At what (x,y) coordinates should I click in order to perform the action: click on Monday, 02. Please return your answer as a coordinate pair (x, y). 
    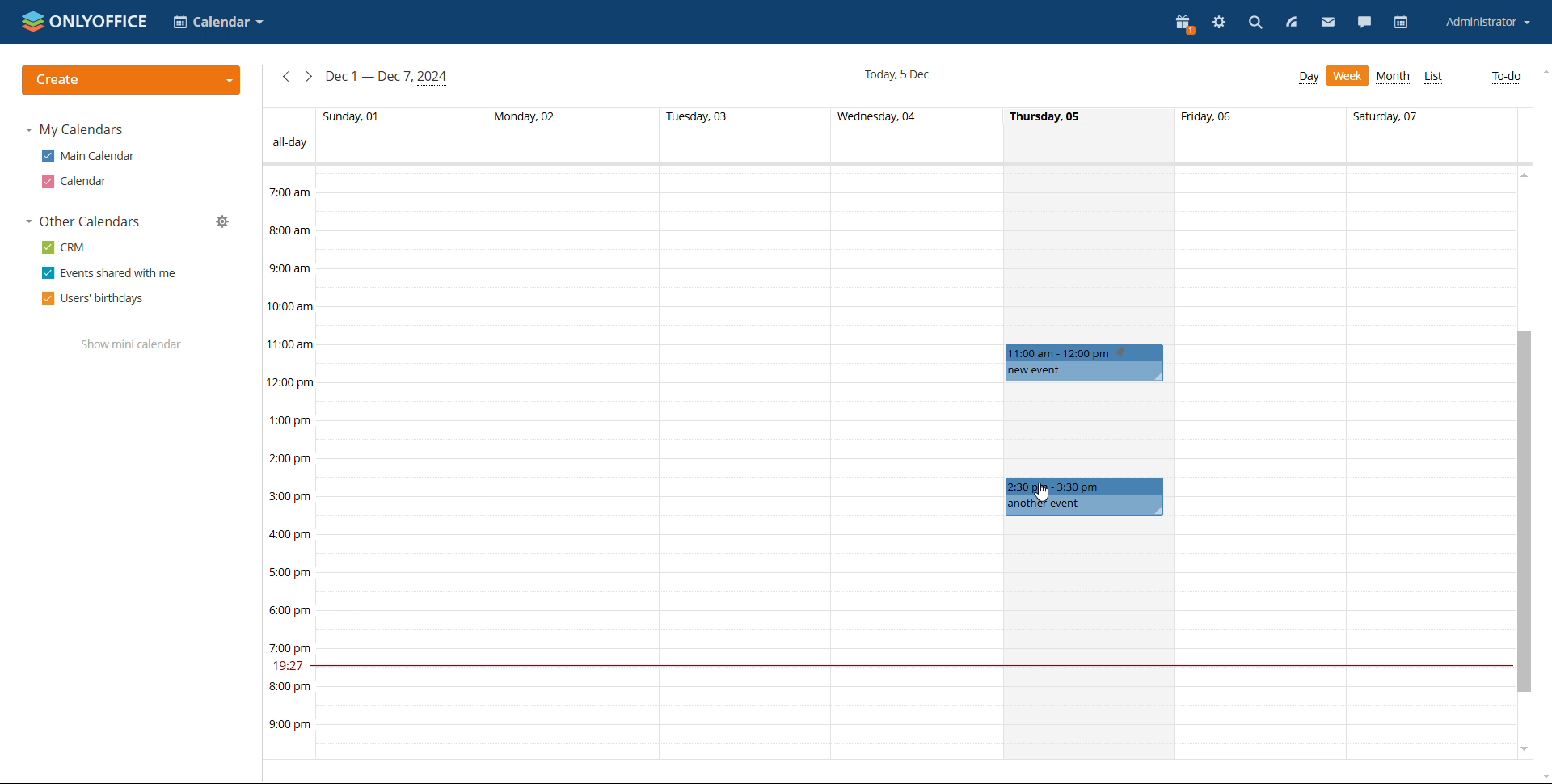
    Looking at the image, I should click on (542, 116).